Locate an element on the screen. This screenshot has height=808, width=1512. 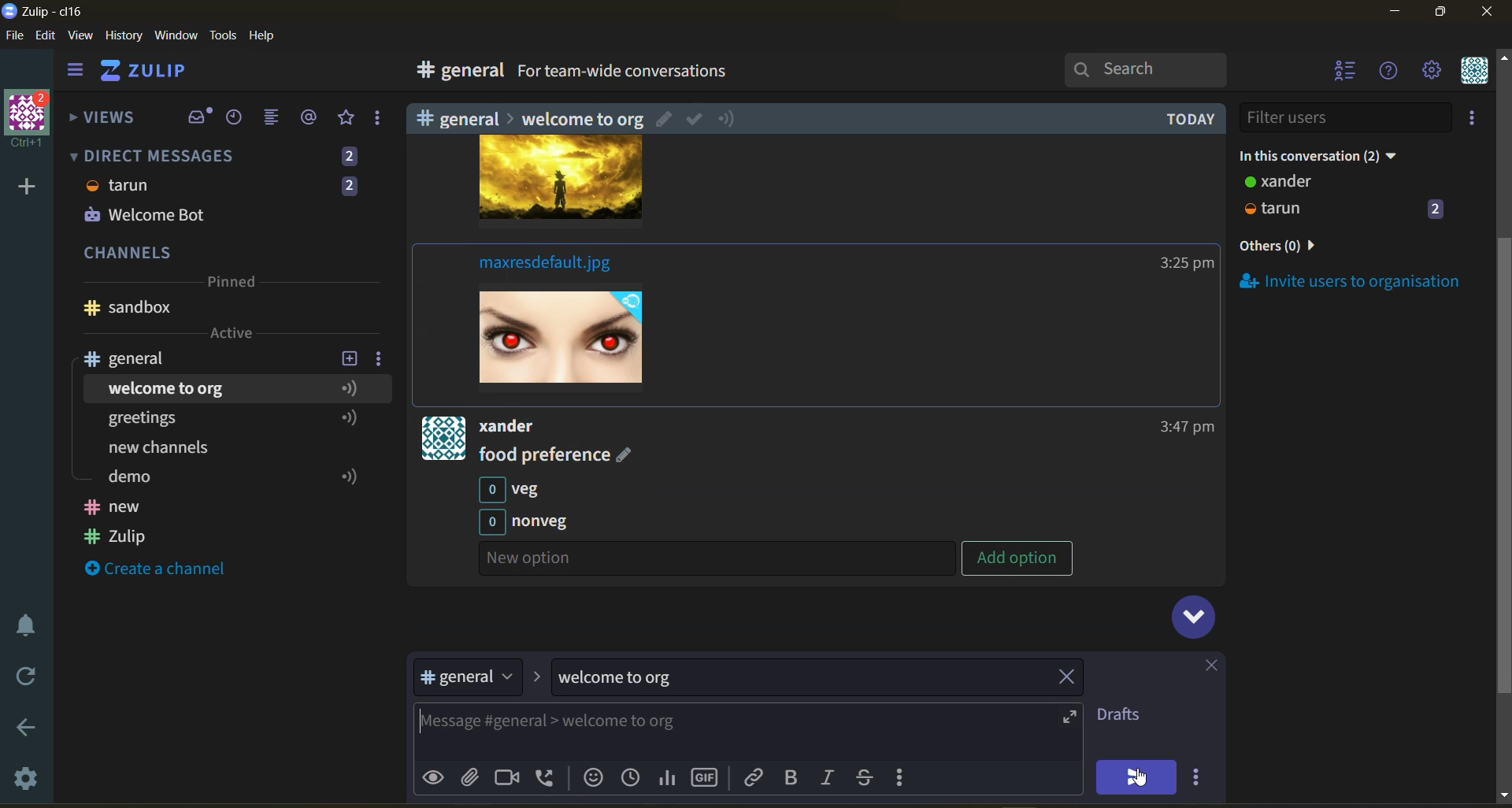
tools is located at coordinates (226, 34).